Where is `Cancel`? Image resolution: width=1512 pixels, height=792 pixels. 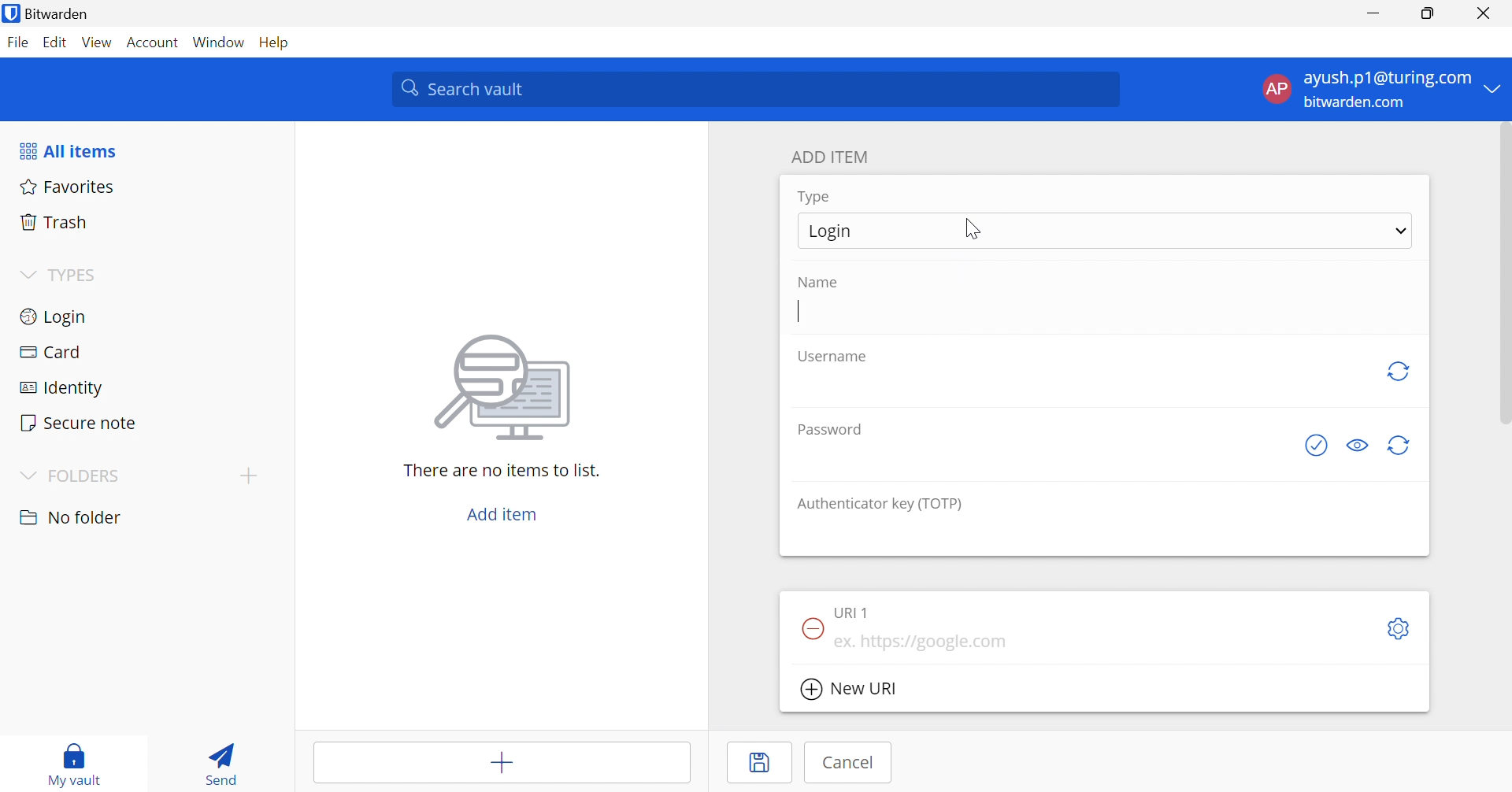
Cancel is located at coordinates (843, 764).